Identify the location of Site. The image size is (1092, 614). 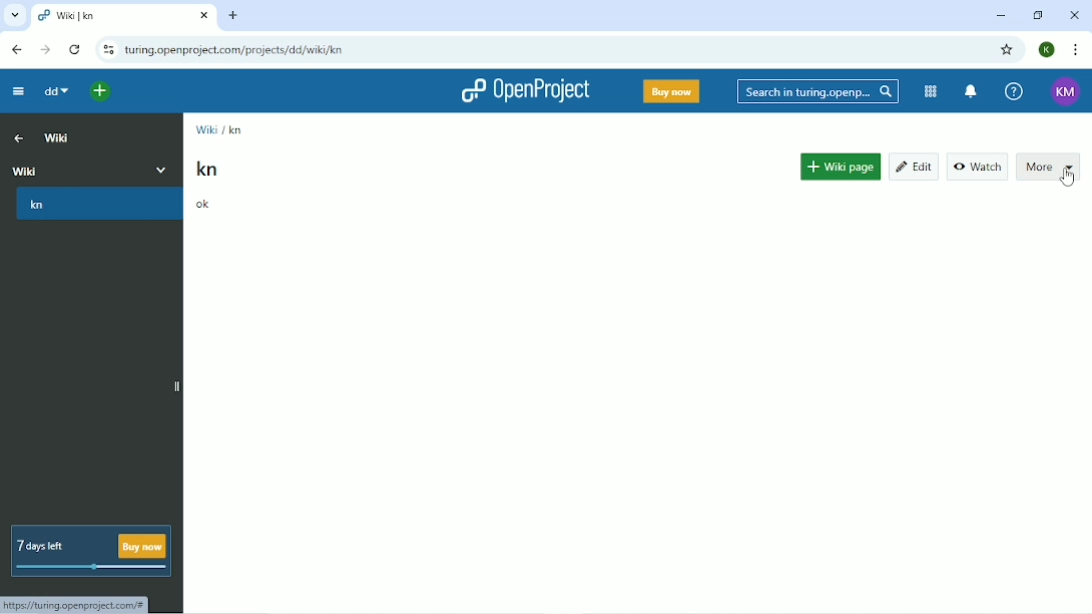
(236, 50).